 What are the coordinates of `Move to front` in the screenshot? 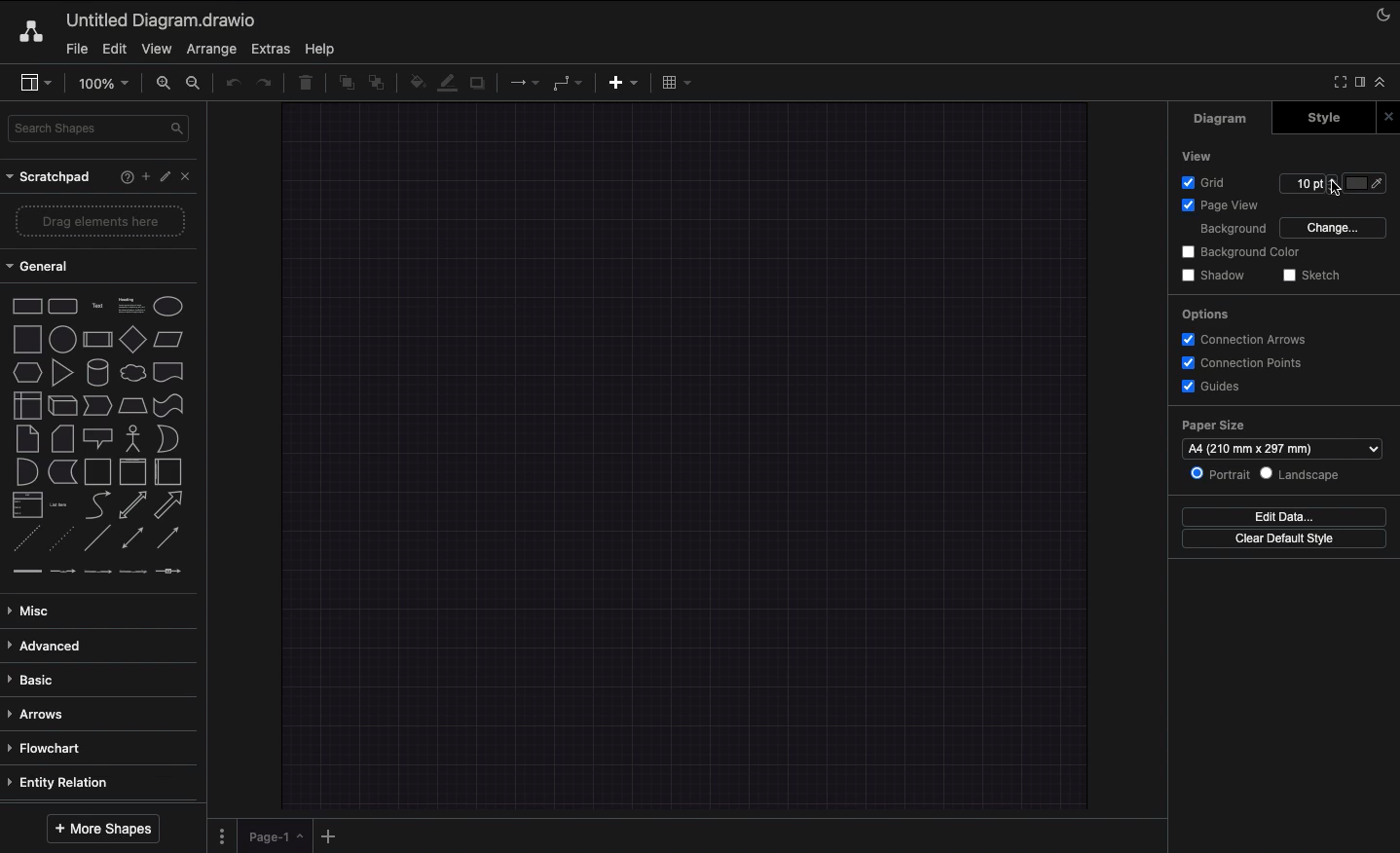 It's located at (343, 86).